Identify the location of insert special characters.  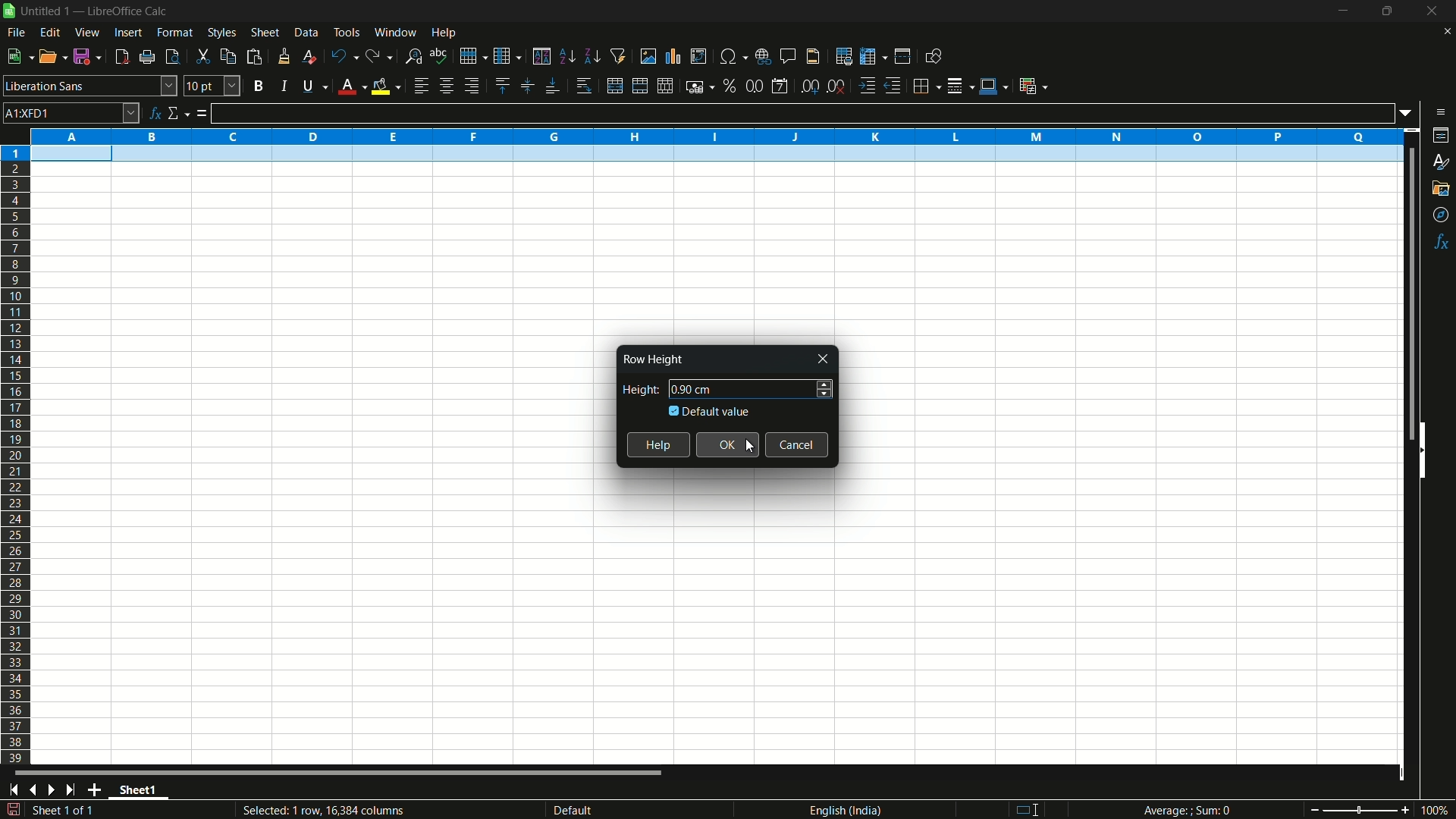
(733, 55).